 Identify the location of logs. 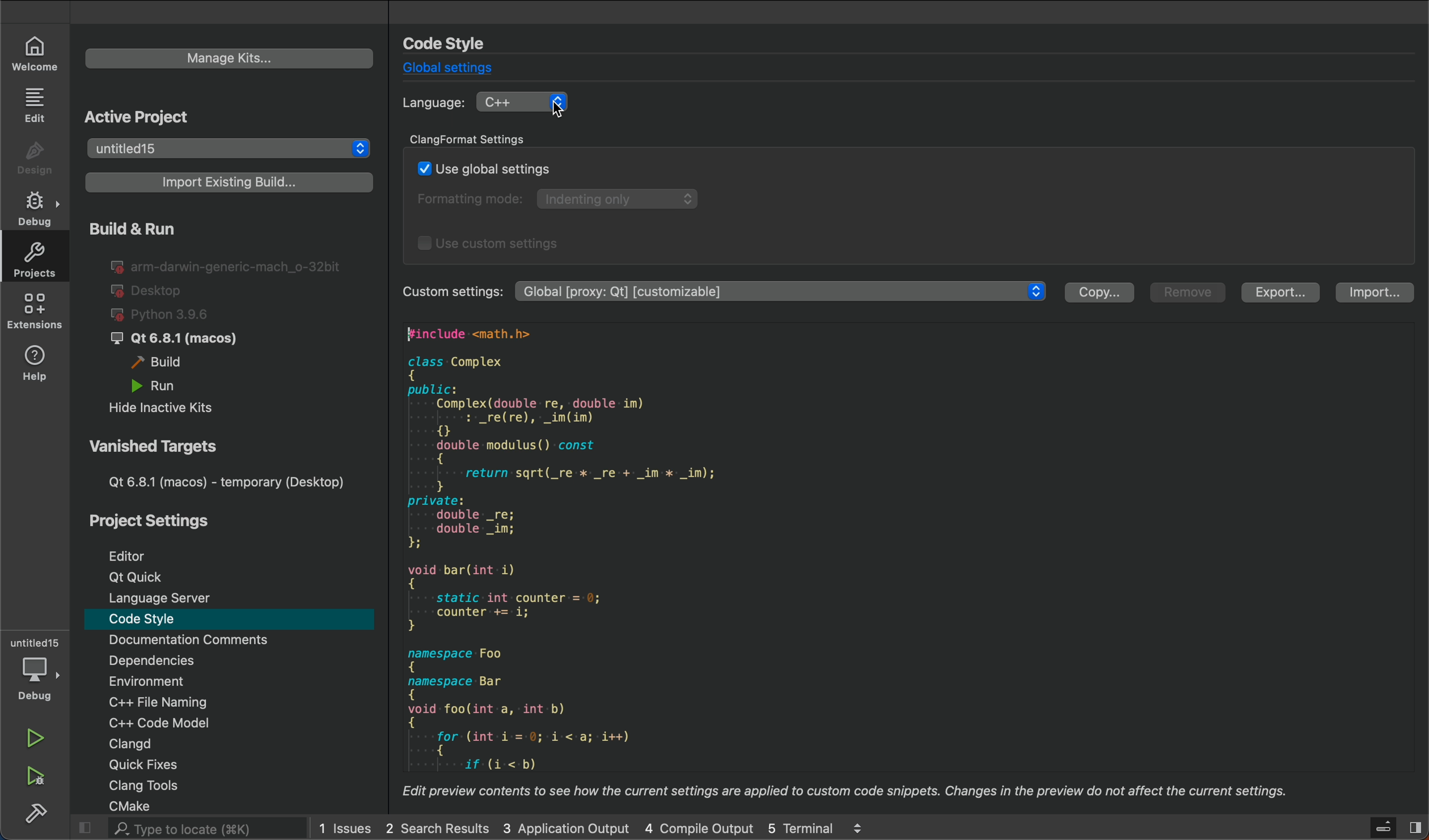
(598, 828).